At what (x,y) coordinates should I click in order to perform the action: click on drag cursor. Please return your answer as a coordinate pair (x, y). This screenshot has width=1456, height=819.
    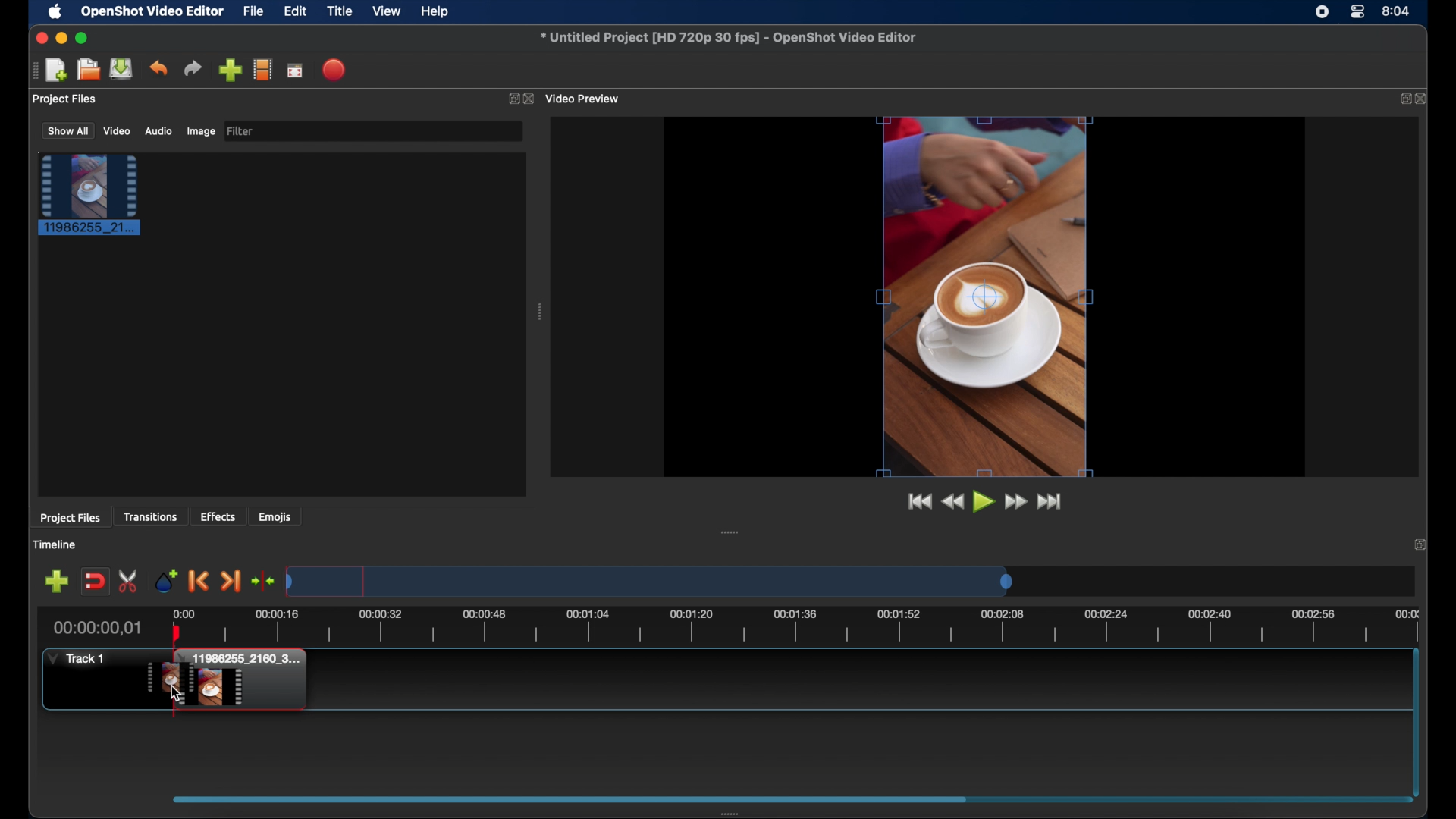
    Looking at the image, I should click on (170, 678).